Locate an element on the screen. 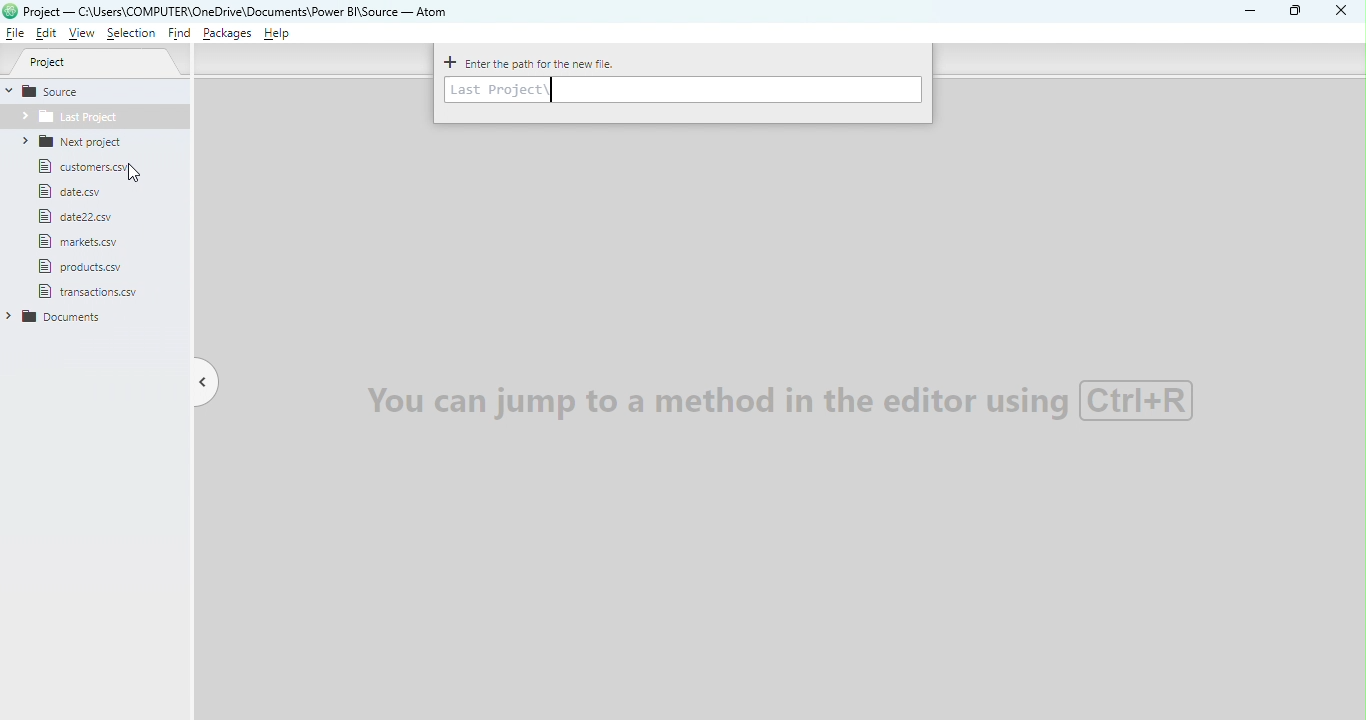 The height and width of the screenshot is (720, 1366). Minimize is located at coordinates (1251, 12).